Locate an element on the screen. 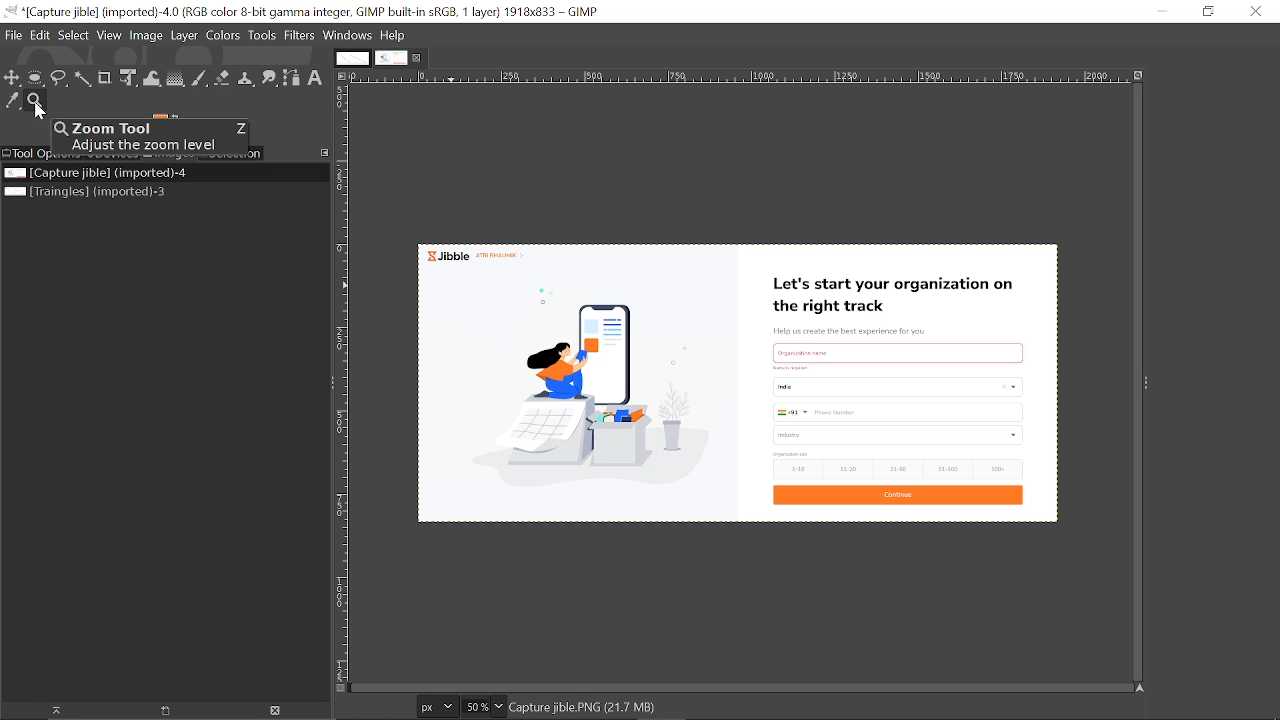 The image size is (1280, 720). Smudge tool is located at coordinates (268, 78).